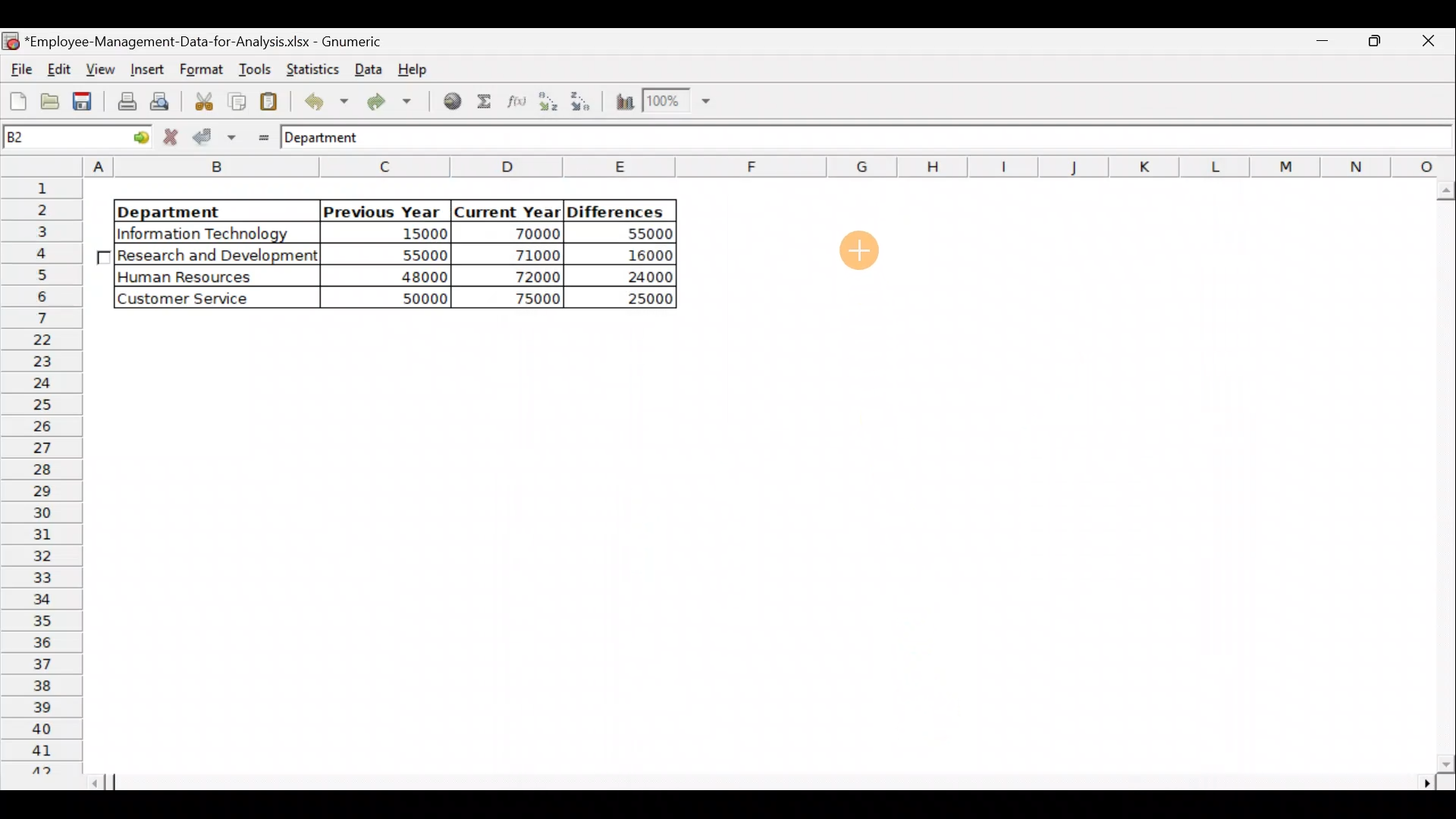  Describe the element at coordinates (259, 136) in the screenshot. I see `Enter formula` at that location.